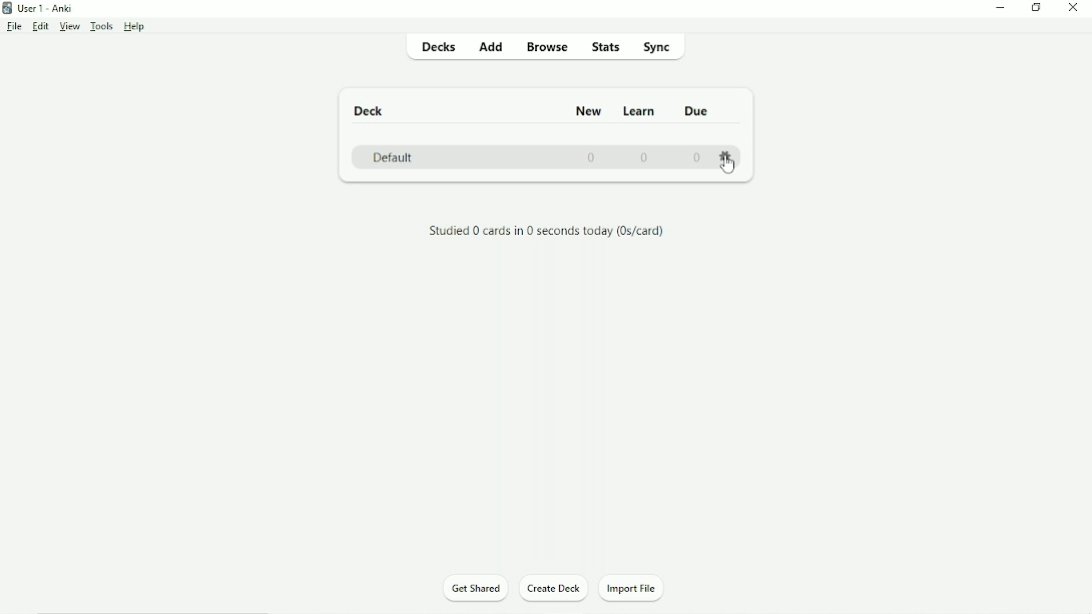 The width and height of the screenshot is (1092, 614). What do you see at coordinates (102, 26) in the screenshot?
I see `Tools` at bounding box center [102, 26].